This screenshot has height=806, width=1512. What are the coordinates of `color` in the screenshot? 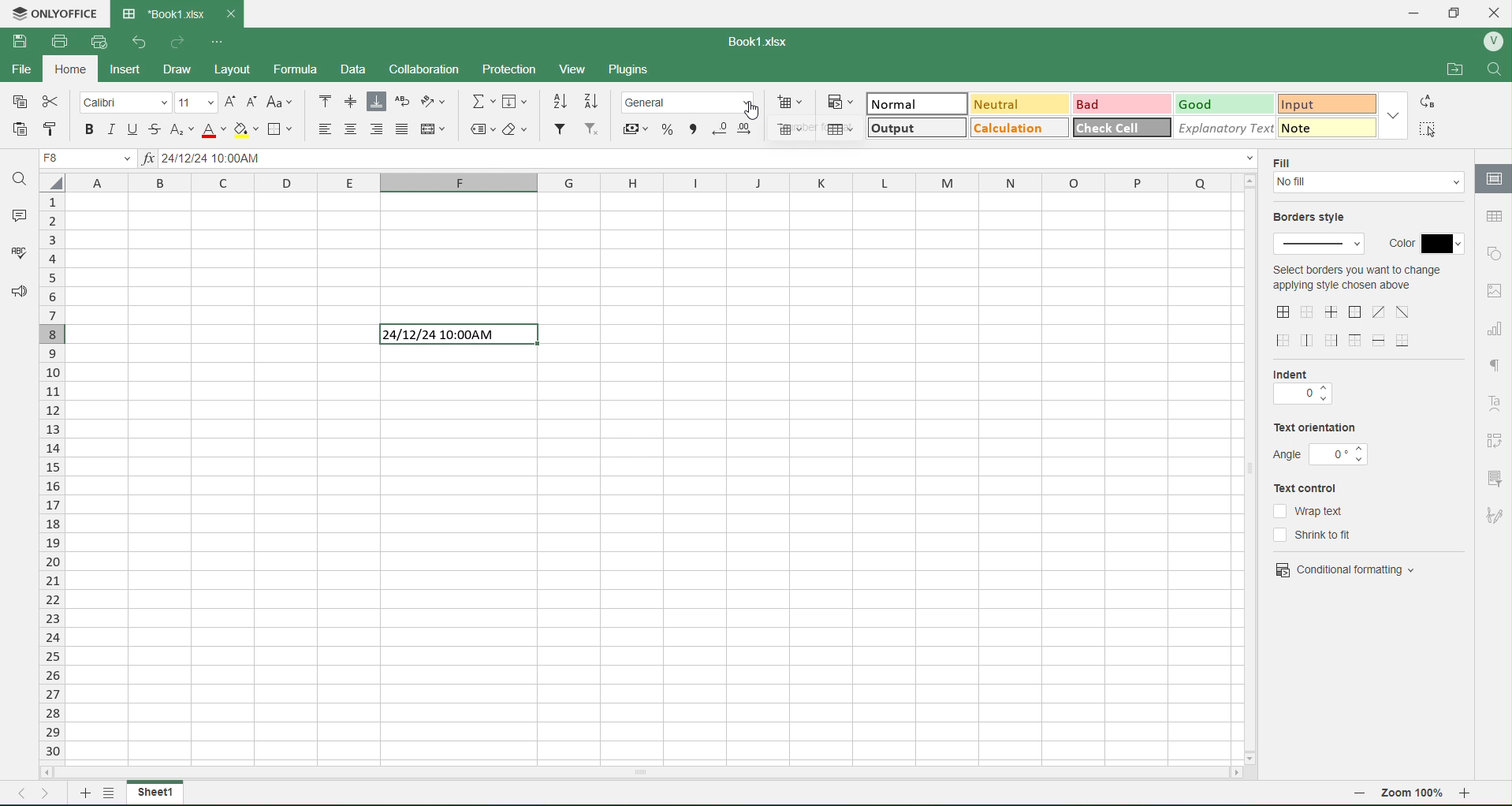 It's located at (1425, 240).